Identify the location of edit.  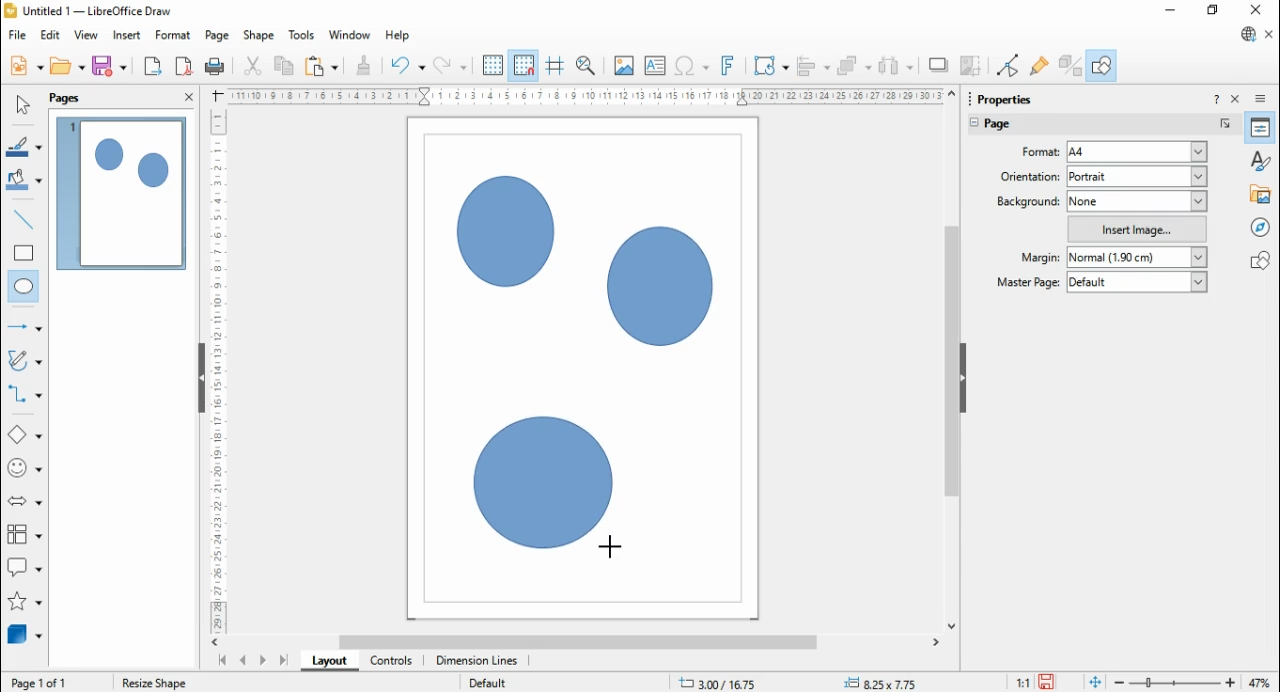
(50, 35).